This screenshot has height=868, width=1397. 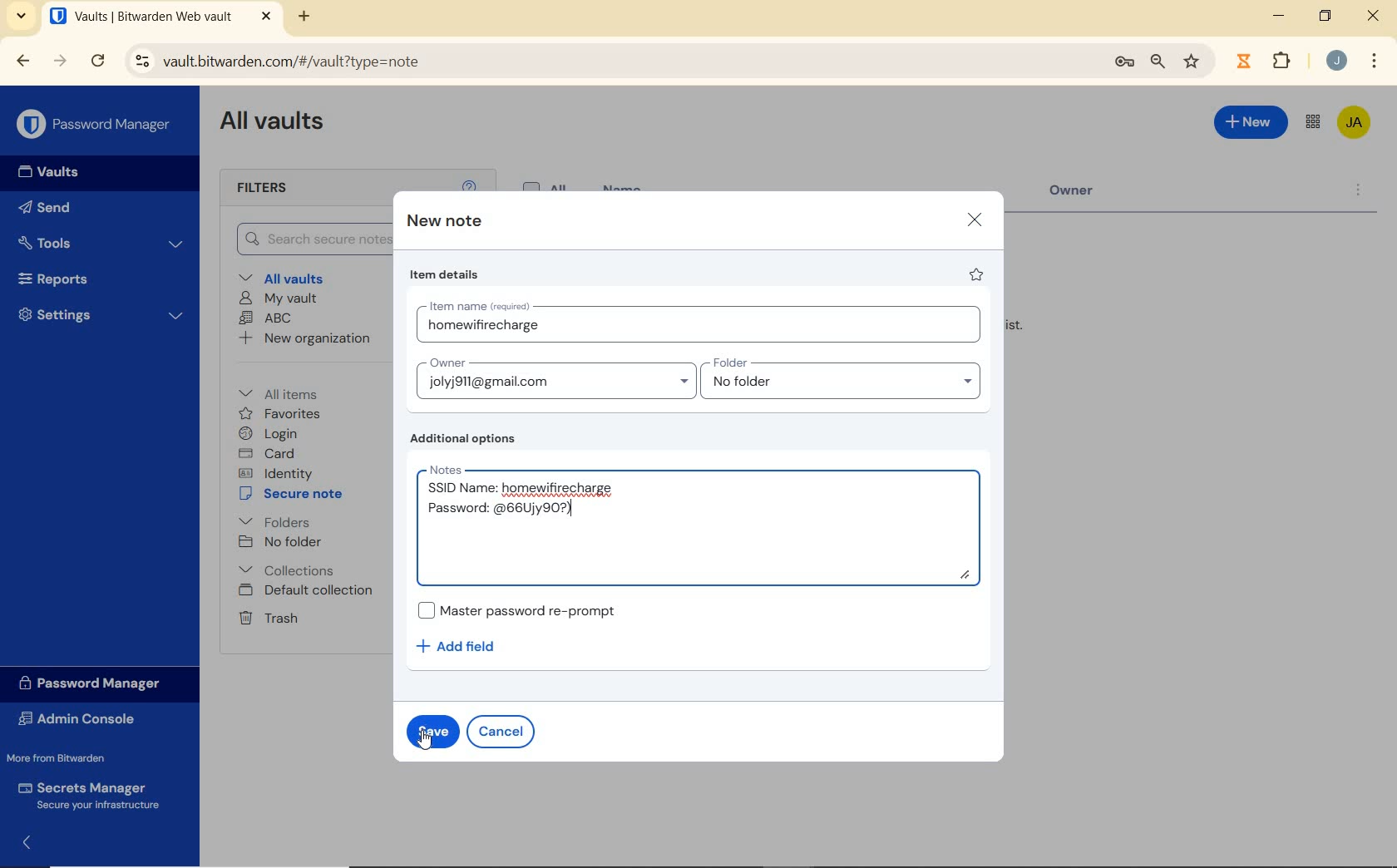 What do you see at coordinates (266, 319) in the screenshot?
I see `ABC` at bounding box center [266, 319].